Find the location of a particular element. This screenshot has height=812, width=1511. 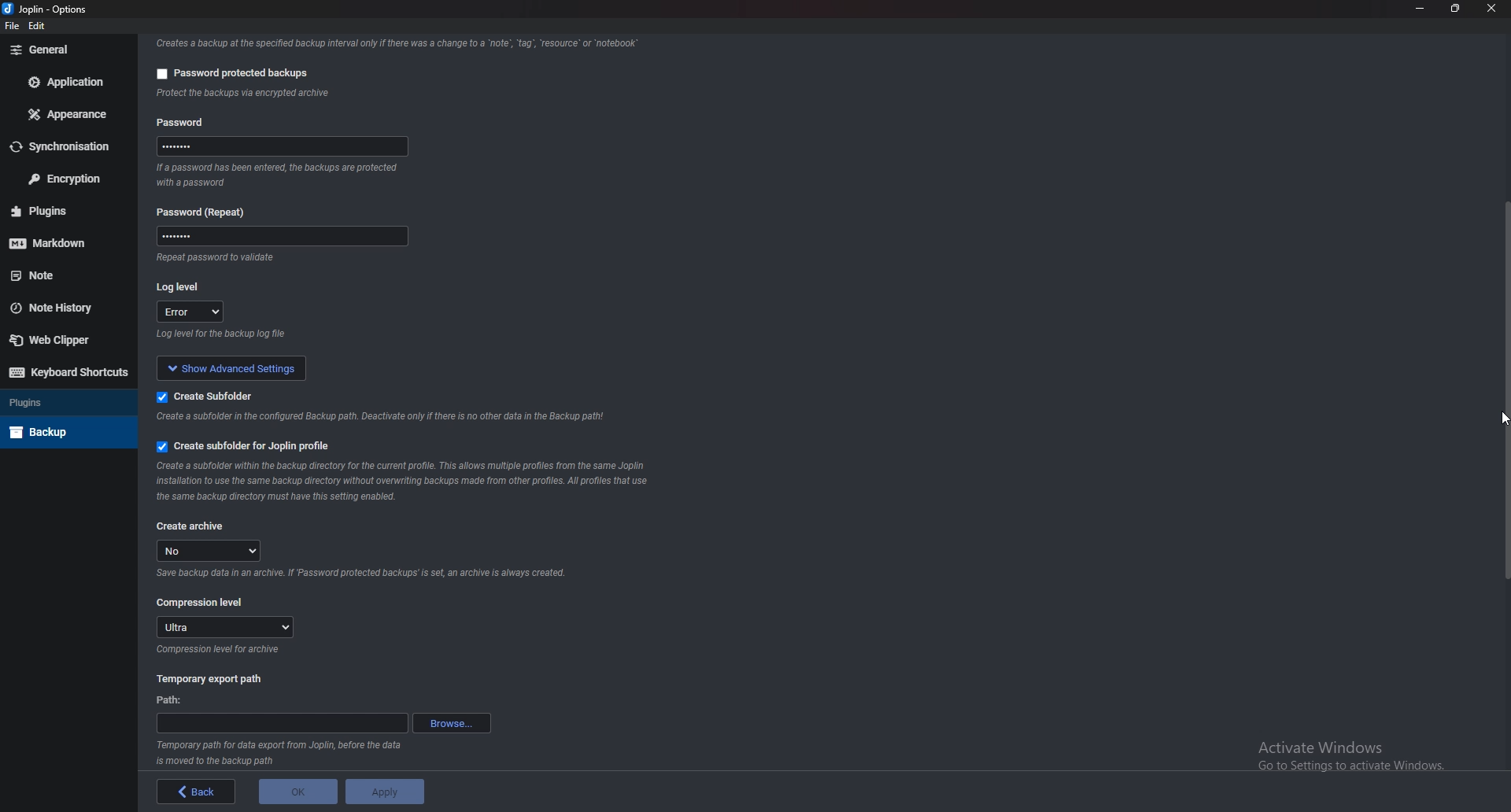

Note history is located at coordinates (65, 308).